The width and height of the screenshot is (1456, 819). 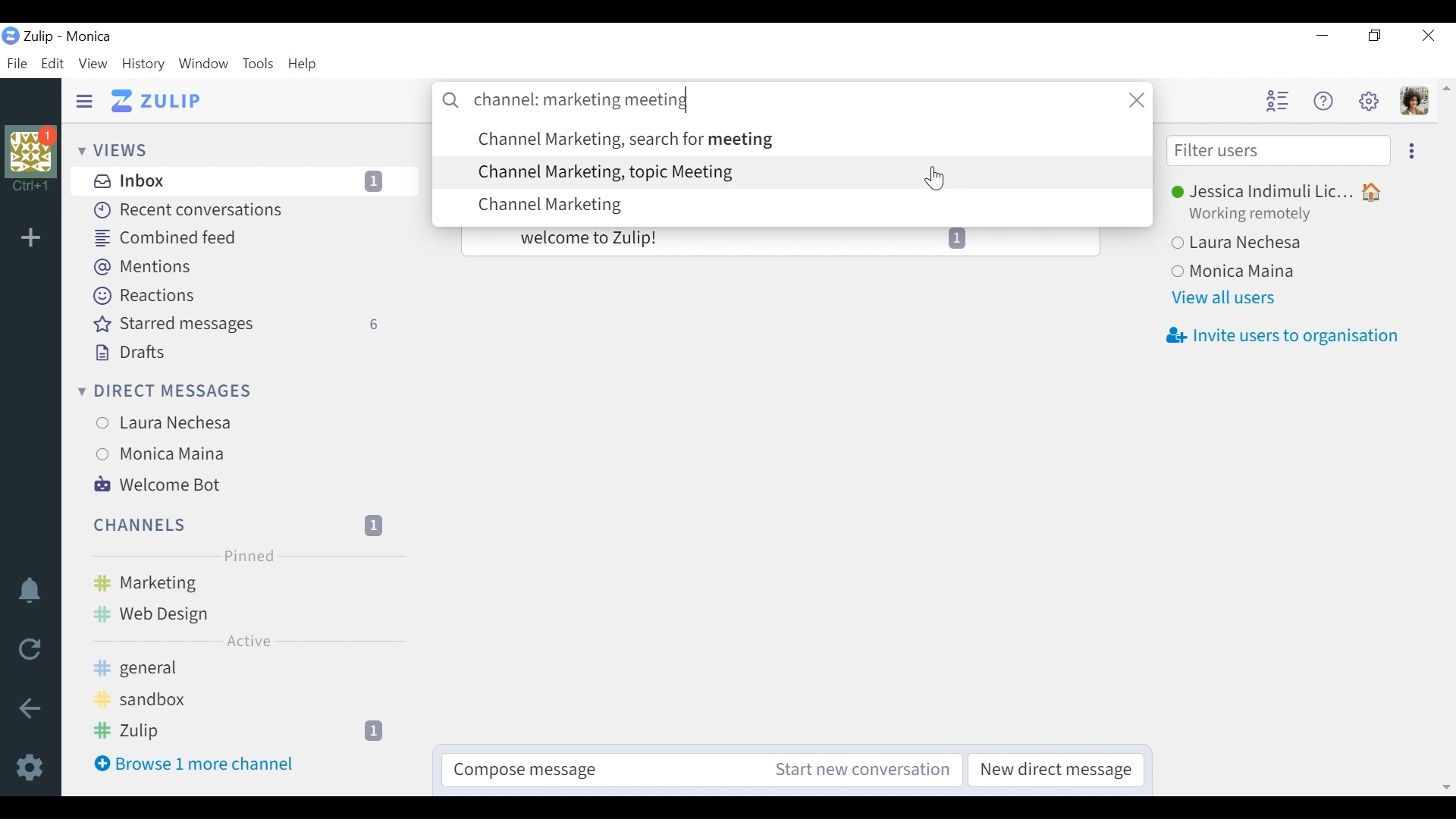 What do you see at coordinates (1289, 189) in the screenshot?
I see `Jessica Indimuli Lic...` at bounding box center [1289, 189].